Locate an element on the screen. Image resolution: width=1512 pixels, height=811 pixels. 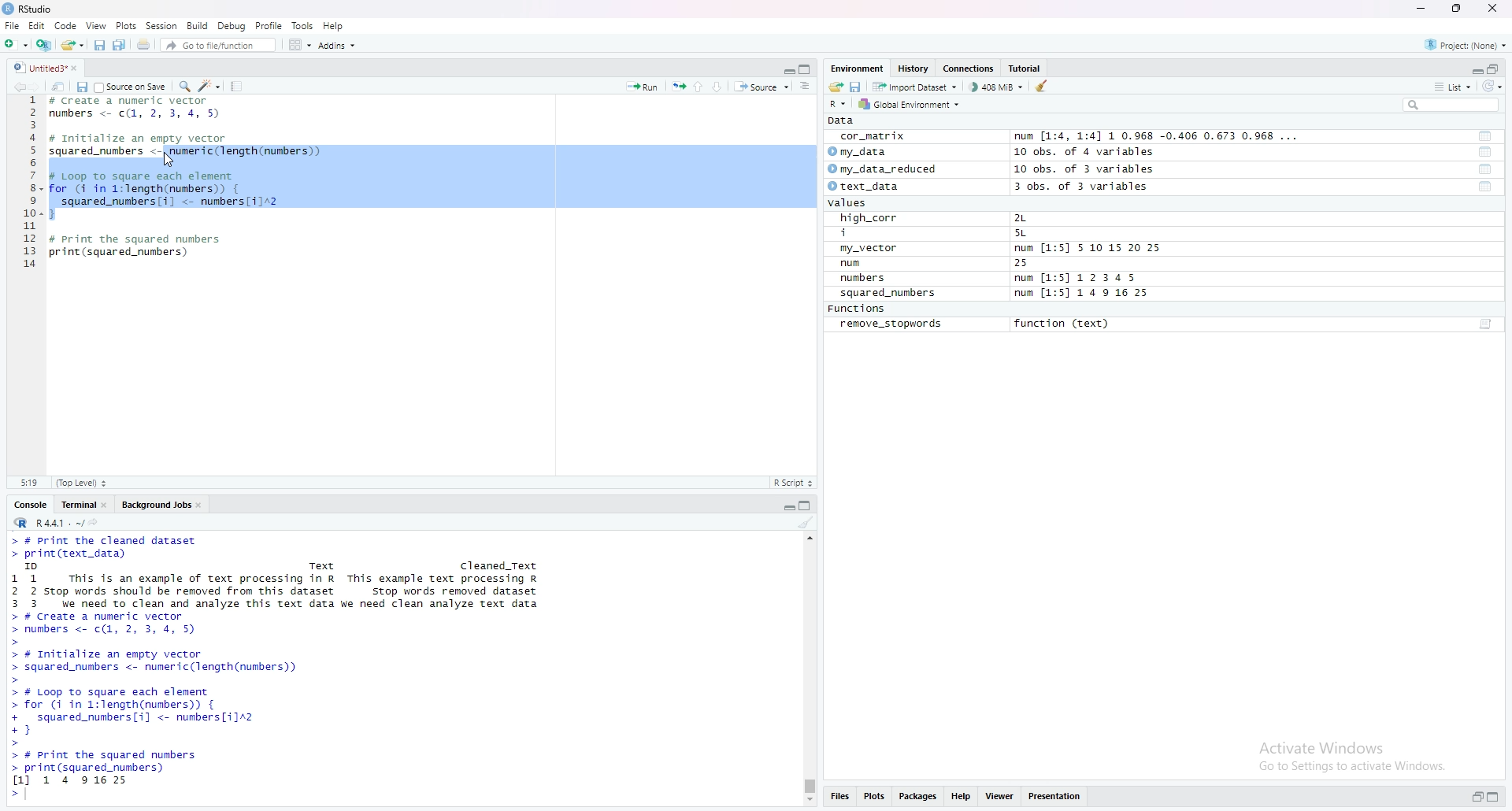
Help is located at coordinates (334, 25).